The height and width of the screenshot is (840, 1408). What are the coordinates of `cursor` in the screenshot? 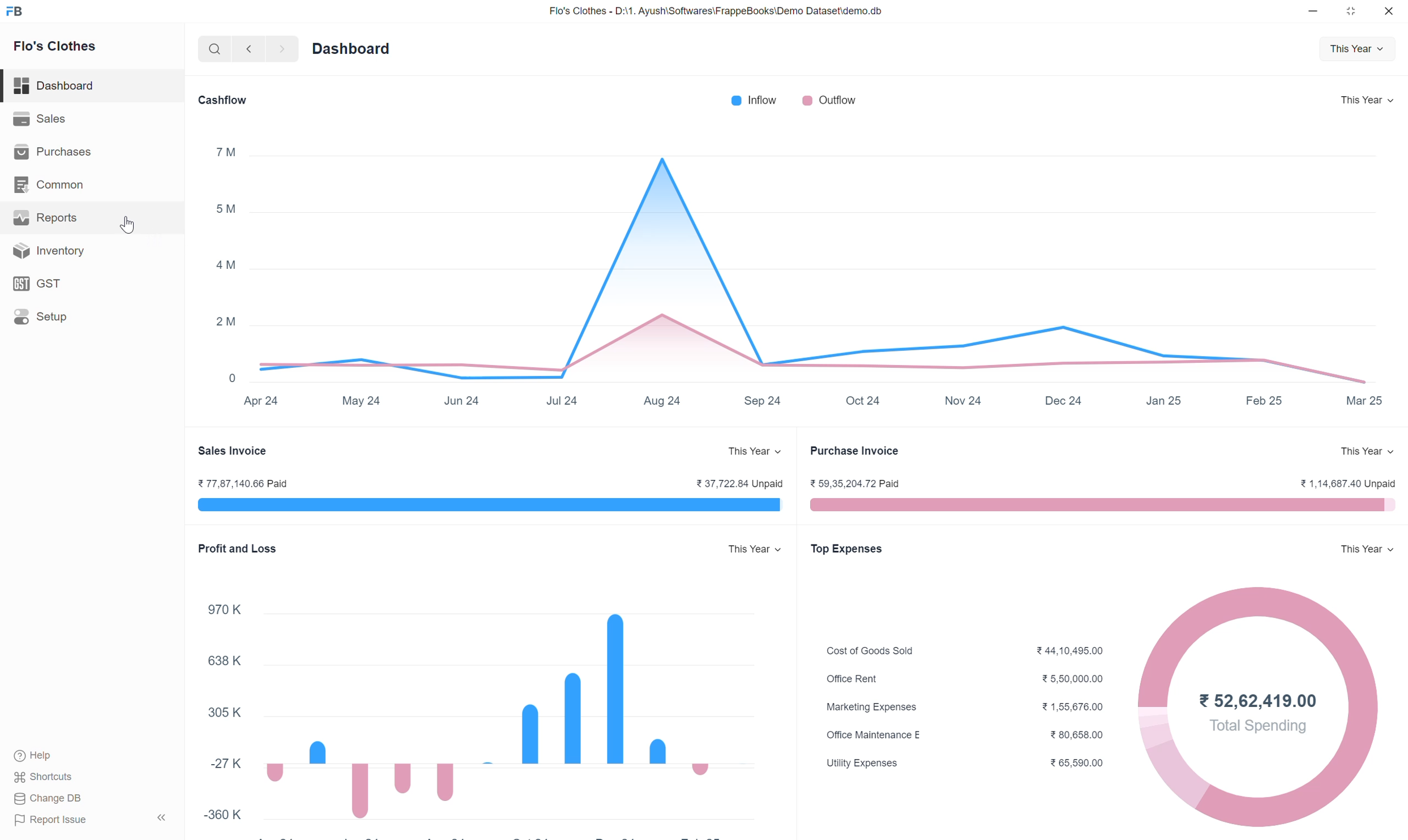 It's located at (129, 228).